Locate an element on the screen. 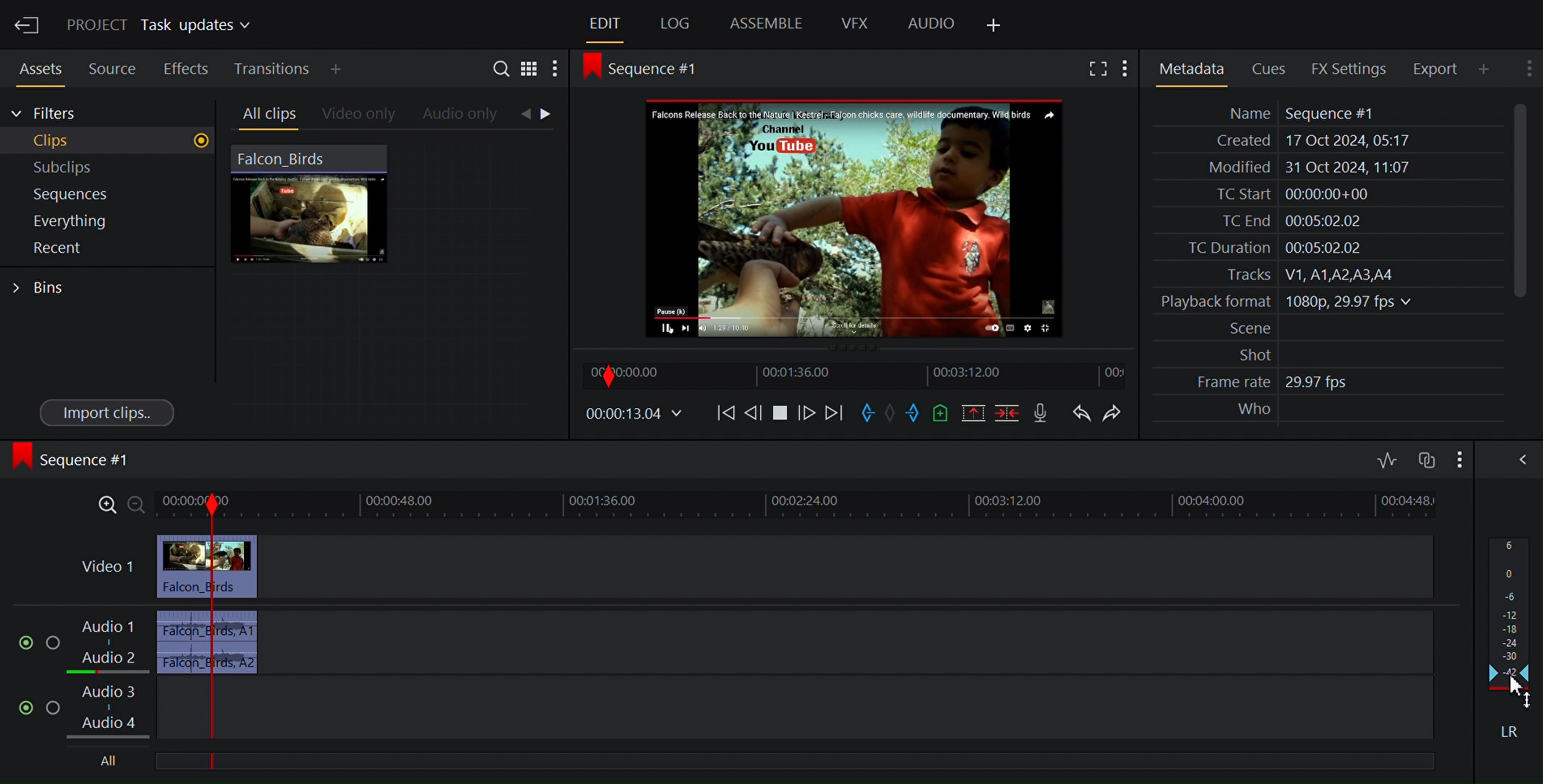 The image size is (1543, 784). Subclips is located at coordinates (104, 166).